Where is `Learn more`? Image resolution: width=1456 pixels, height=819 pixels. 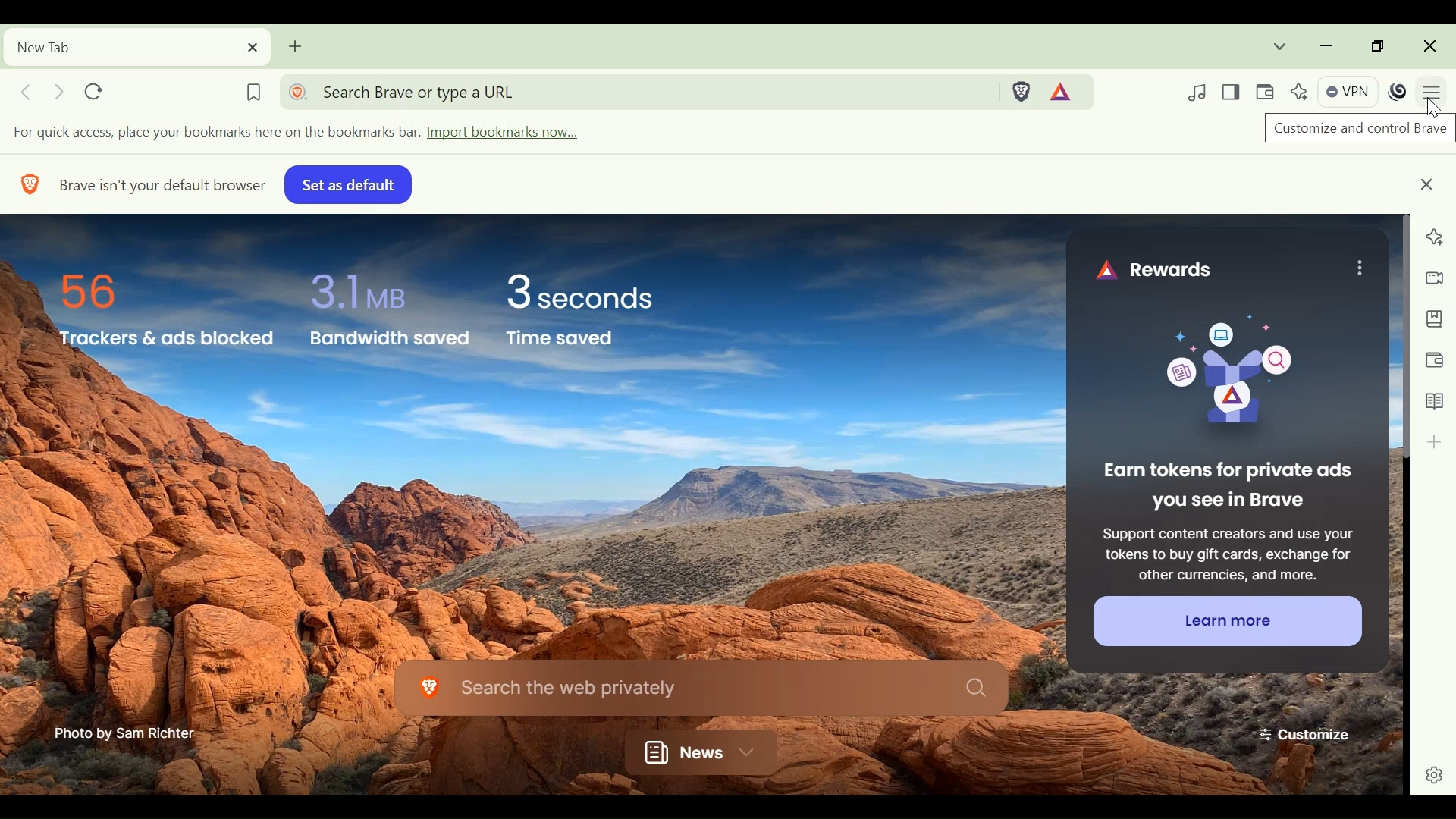
Learn more is located at coordinates (1227, 621).